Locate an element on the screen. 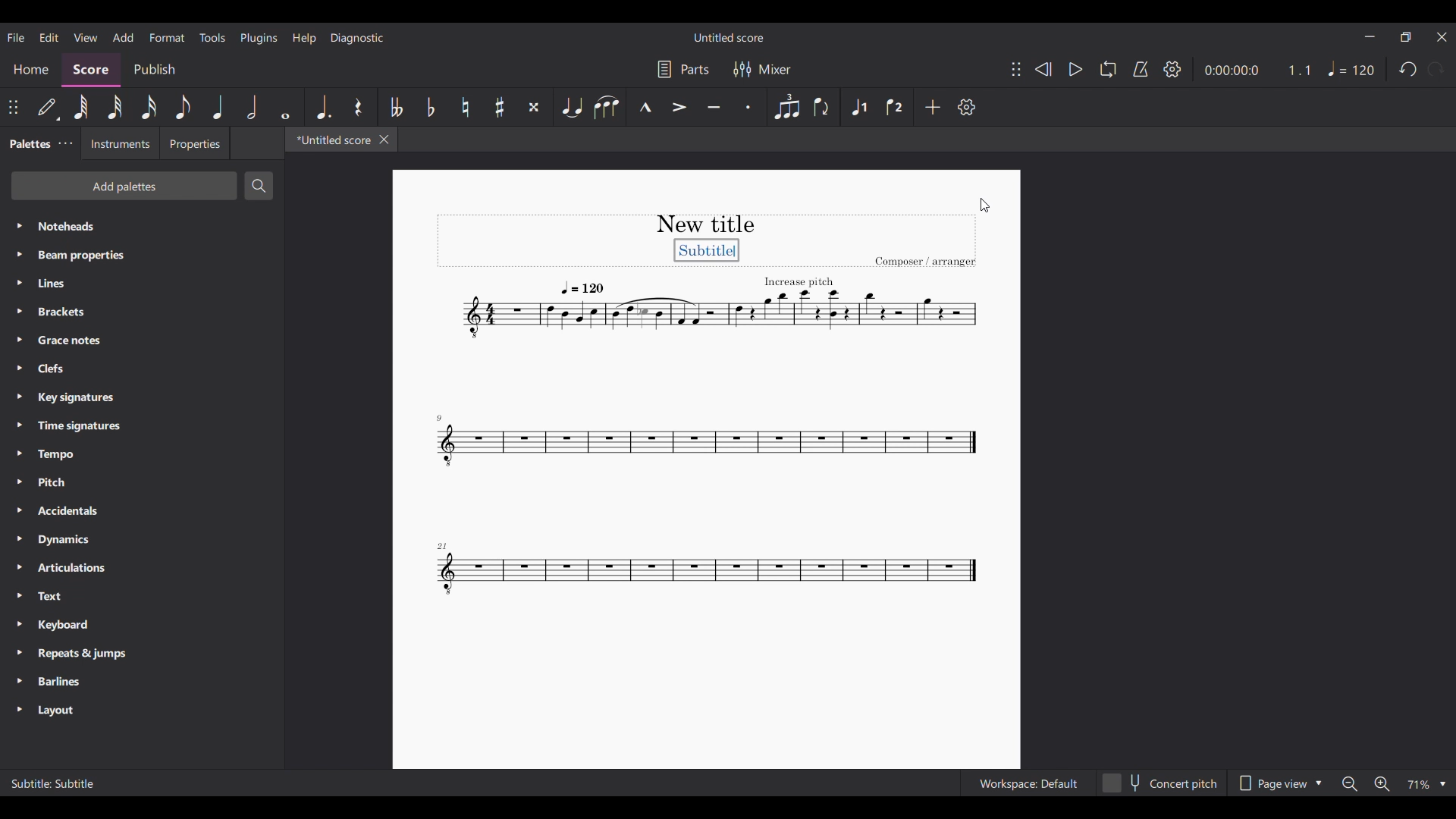 The image size is (1456, 819). Beam properties is located at coordinates (141, 255).